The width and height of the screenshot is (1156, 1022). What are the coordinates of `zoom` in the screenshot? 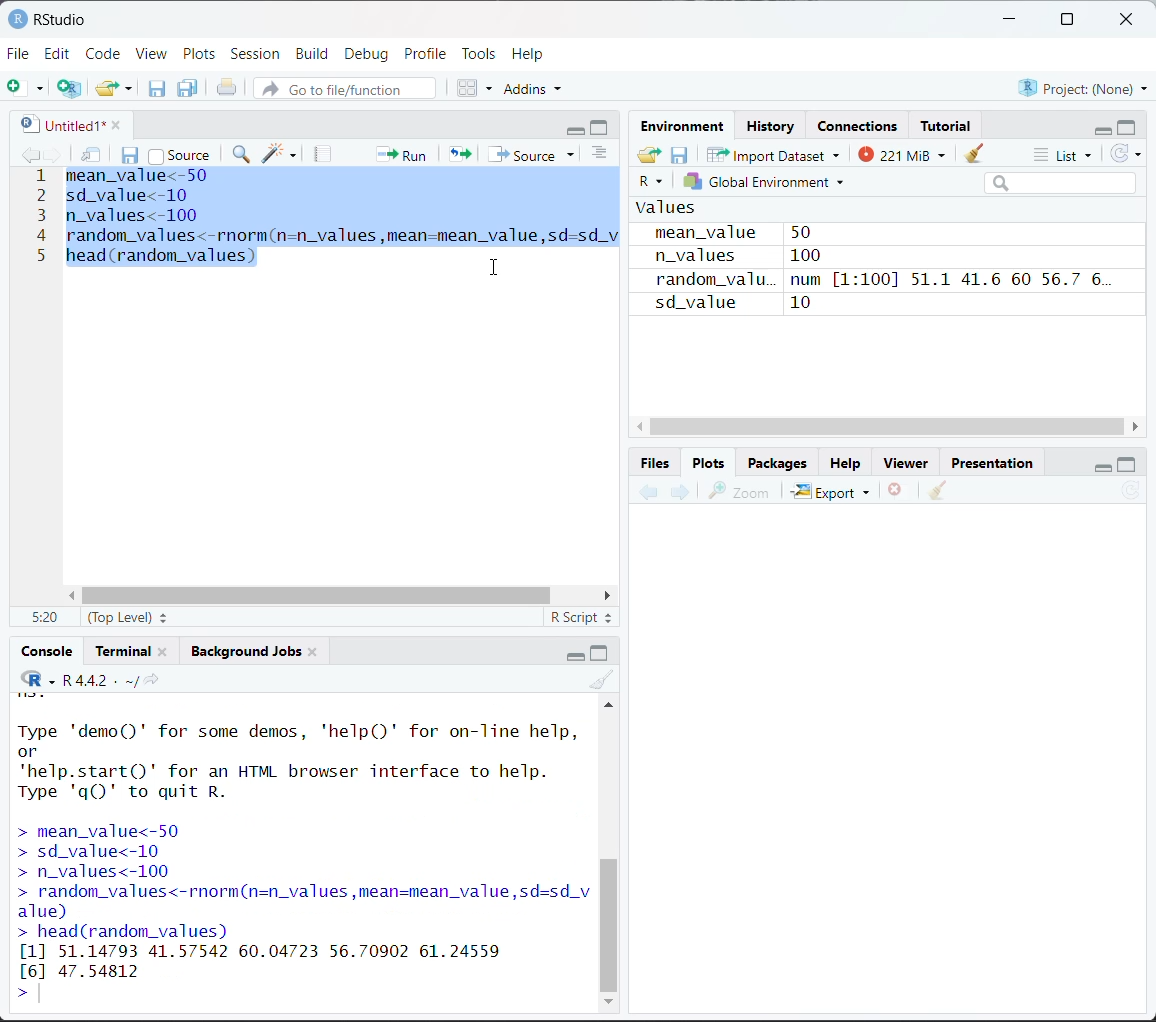 It's located at (739, 491).